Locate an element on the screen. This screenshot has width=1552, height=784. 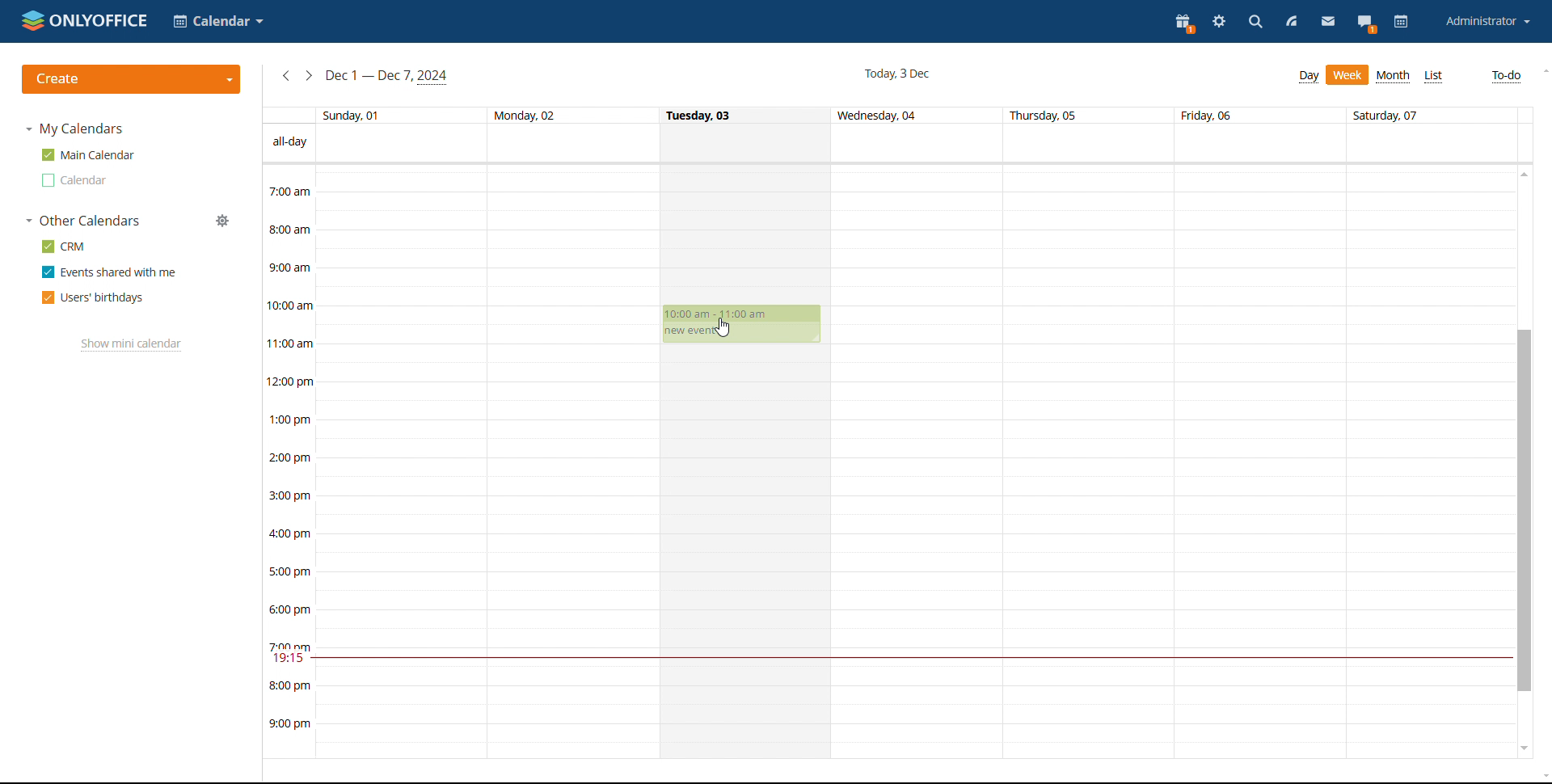
9:00 pm is located at coordinates (290, 725).